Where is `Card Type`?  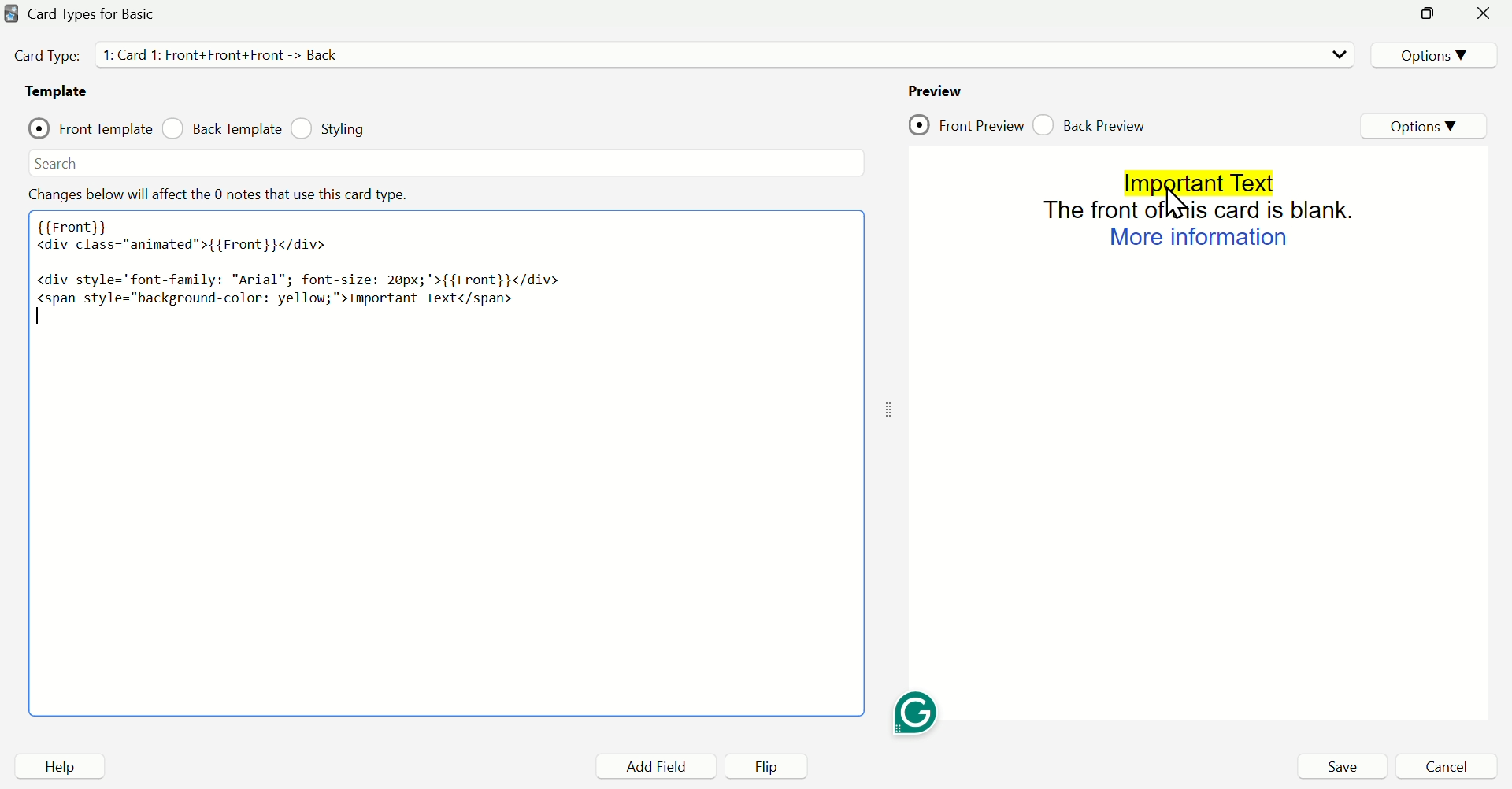 Card Type is located at coordinates (48, 55).